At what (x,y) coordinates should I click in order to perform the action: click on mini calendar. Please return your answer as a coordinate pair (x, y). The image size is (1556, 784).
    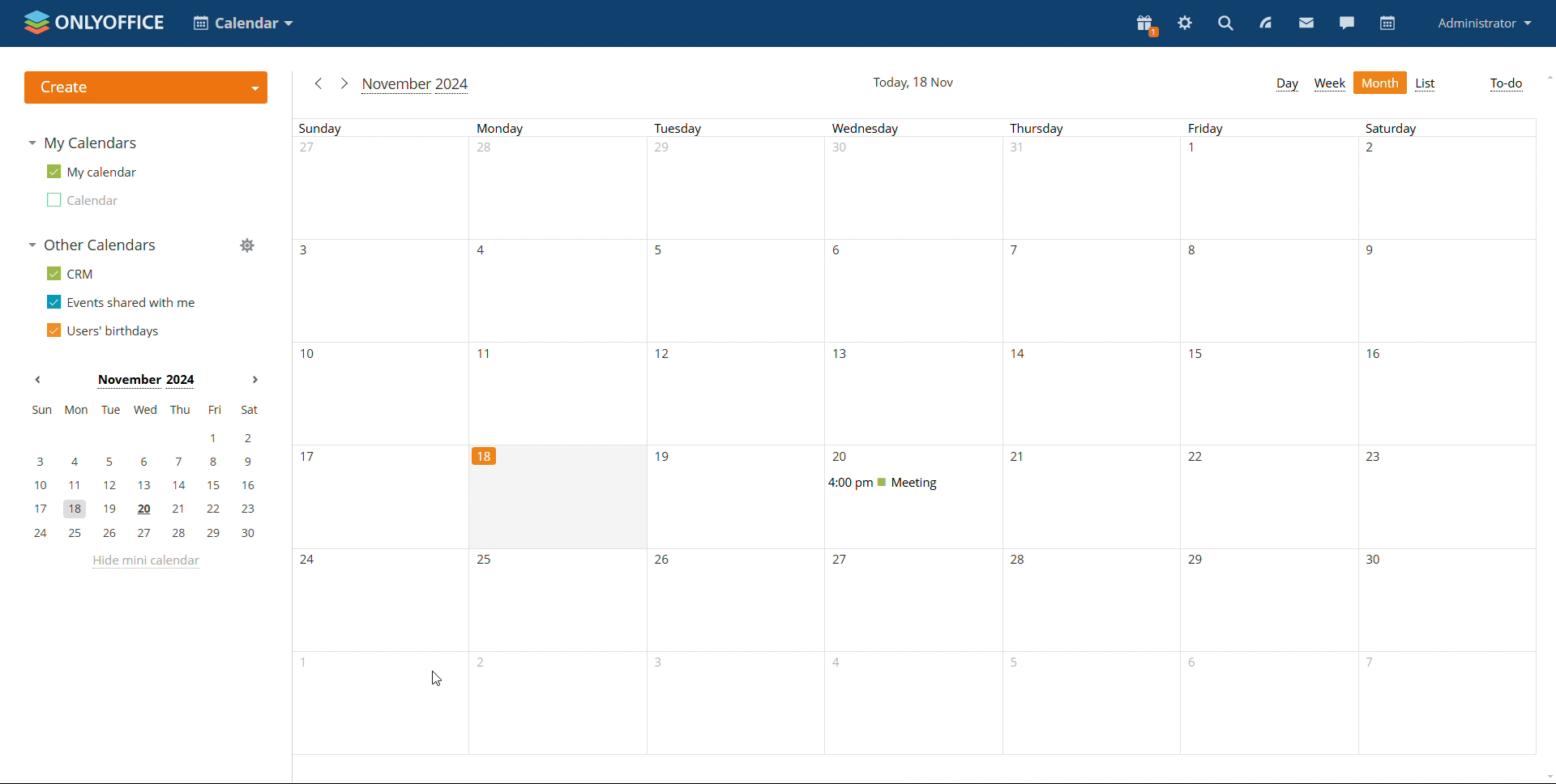
    Looking at the image, I should click on (145, 472).